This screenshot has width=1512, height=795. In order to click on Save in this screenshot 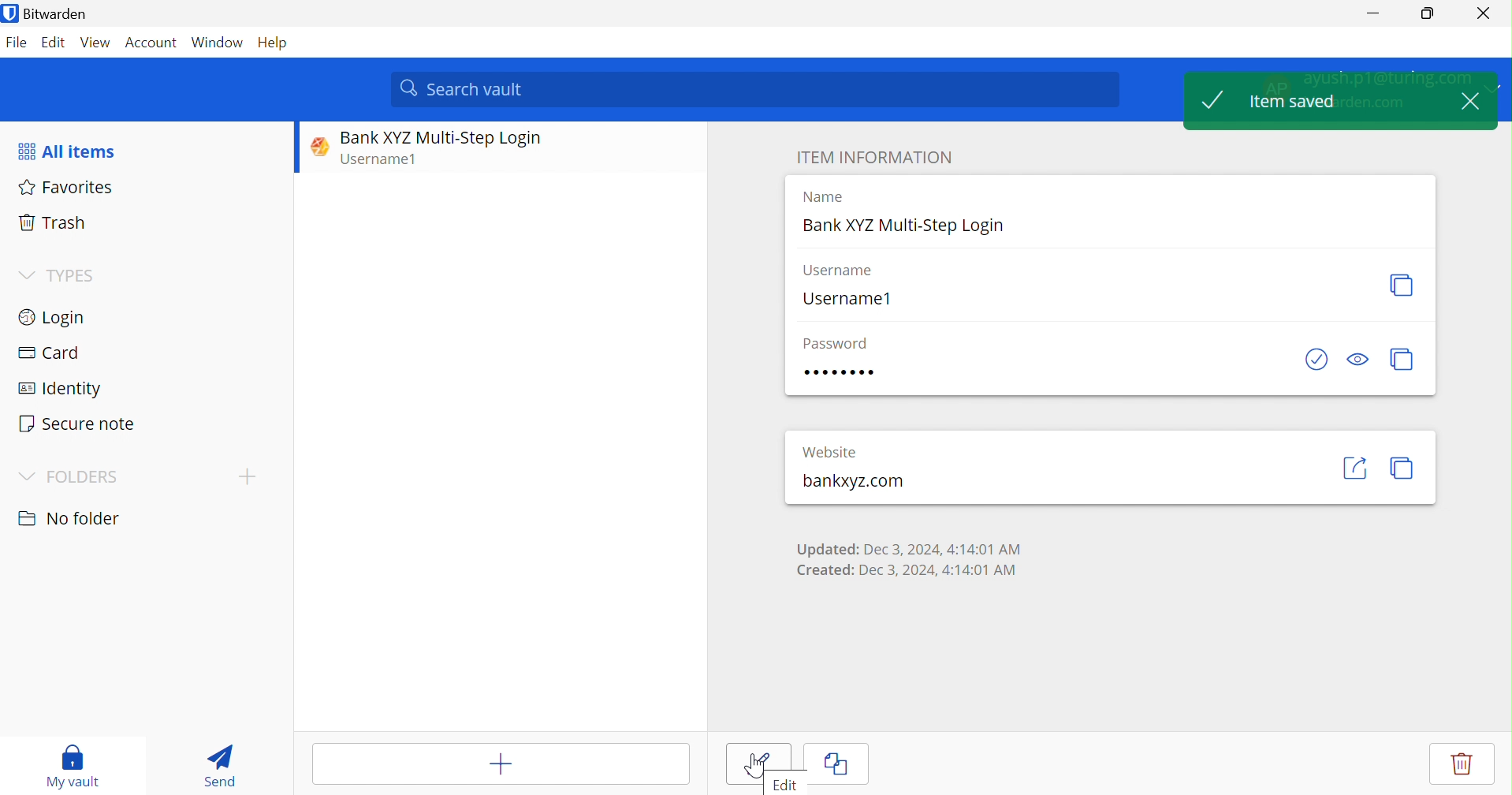, I will do `click(754, 760)`.